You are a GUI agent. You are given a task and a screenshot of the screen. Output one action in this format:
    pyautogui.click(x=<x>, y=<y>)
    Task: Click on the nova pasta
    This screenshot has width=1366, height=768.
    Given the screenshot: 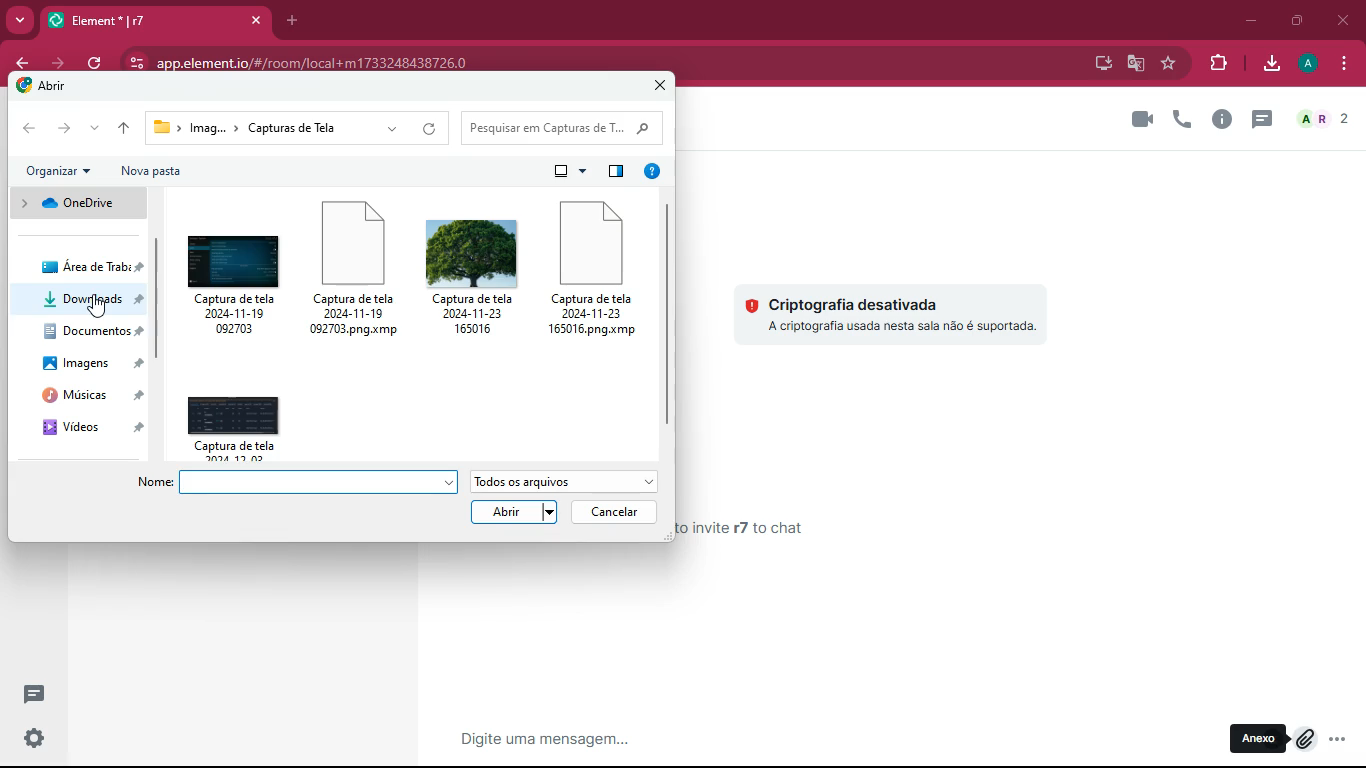 What is the action you would take?
    pyautogui.click(x=159, y=172)
    